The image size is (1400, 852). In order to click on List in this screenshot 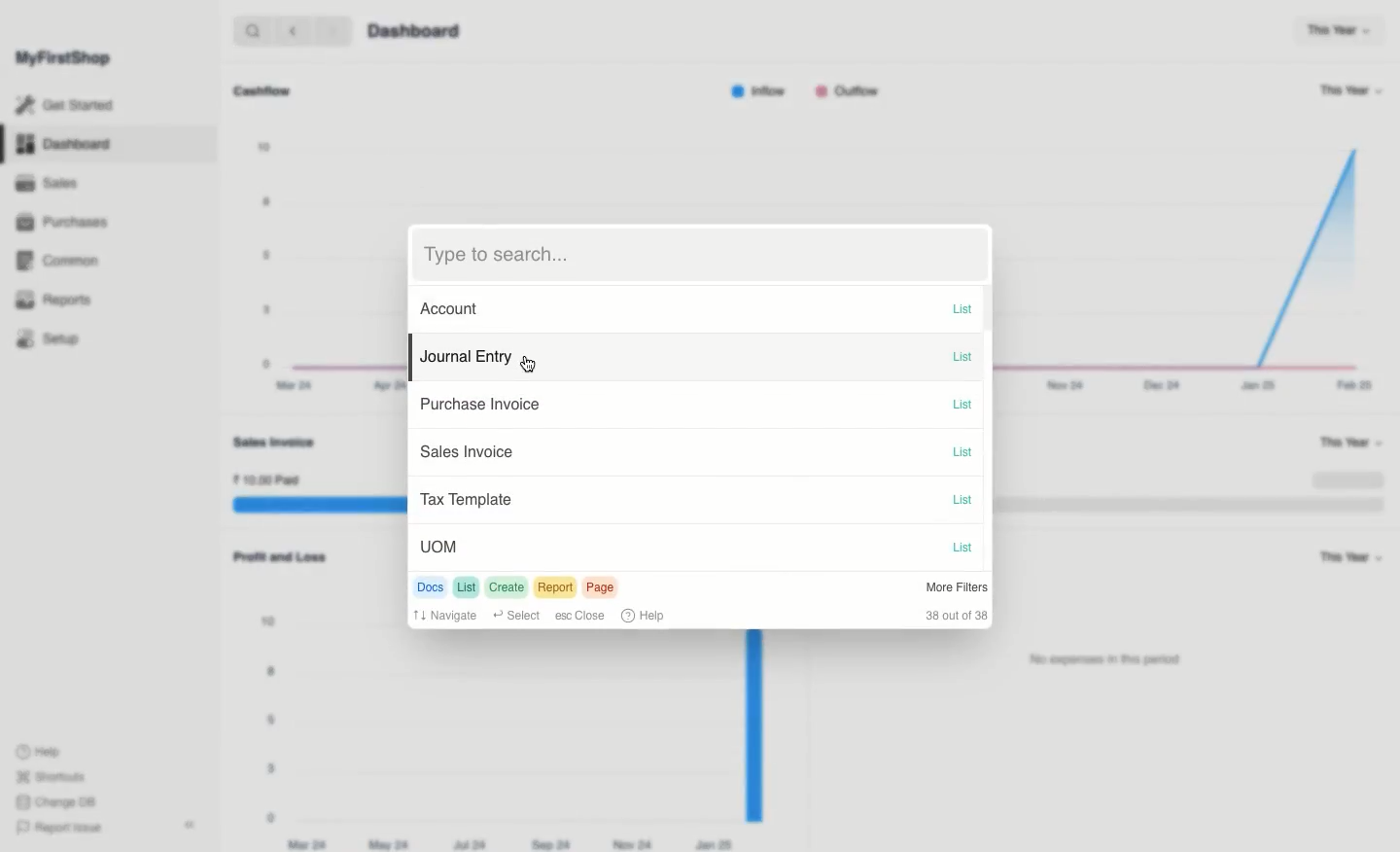, I will do `click(962, 356)`.